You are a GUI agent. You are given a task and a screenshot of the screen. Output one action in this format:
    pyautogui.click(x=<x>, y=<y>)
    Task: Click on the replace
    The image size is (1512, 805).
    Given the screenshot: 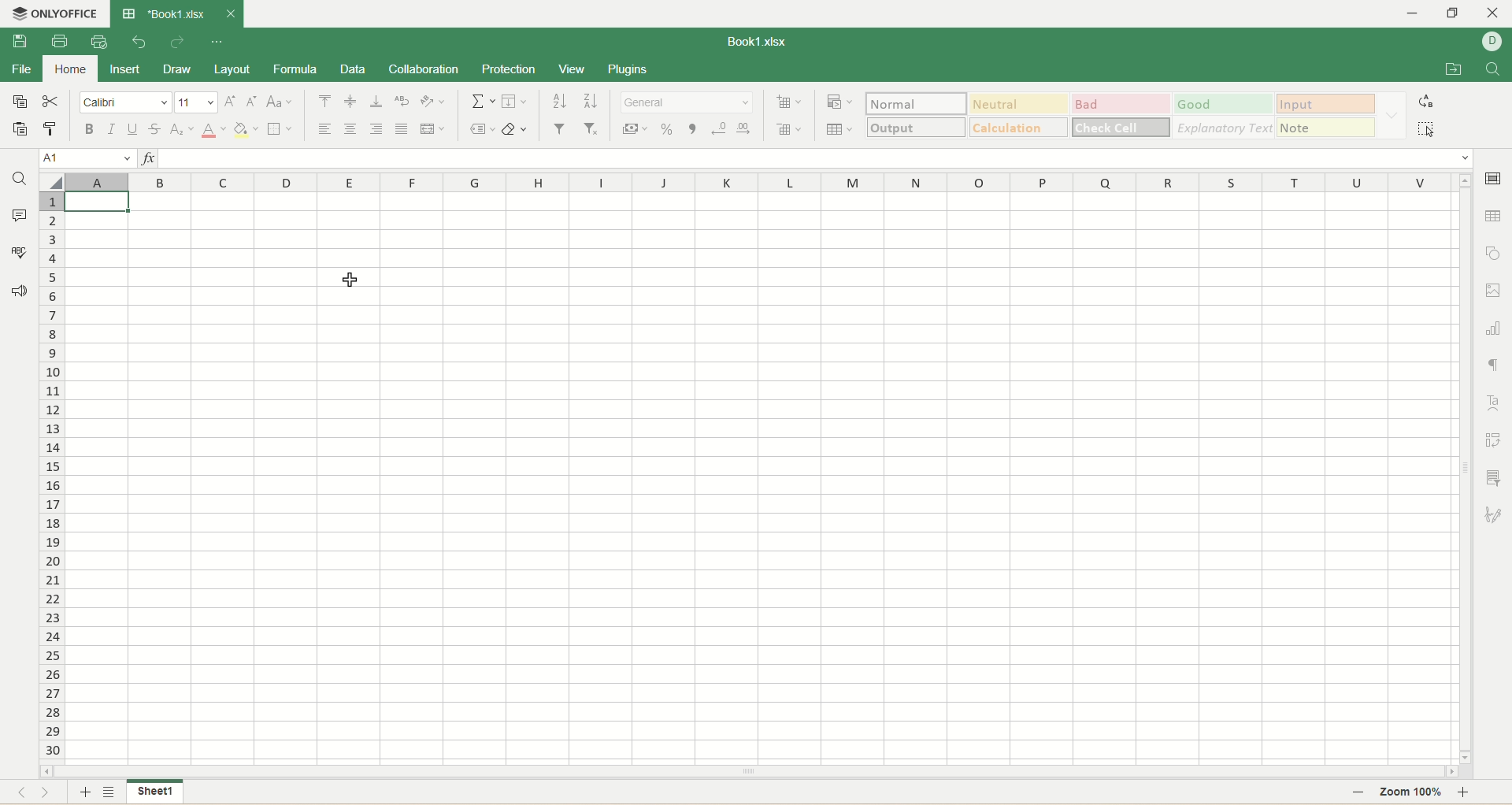 What is the action you would take?
    pyautogui.click(x=1430, y=103)
    